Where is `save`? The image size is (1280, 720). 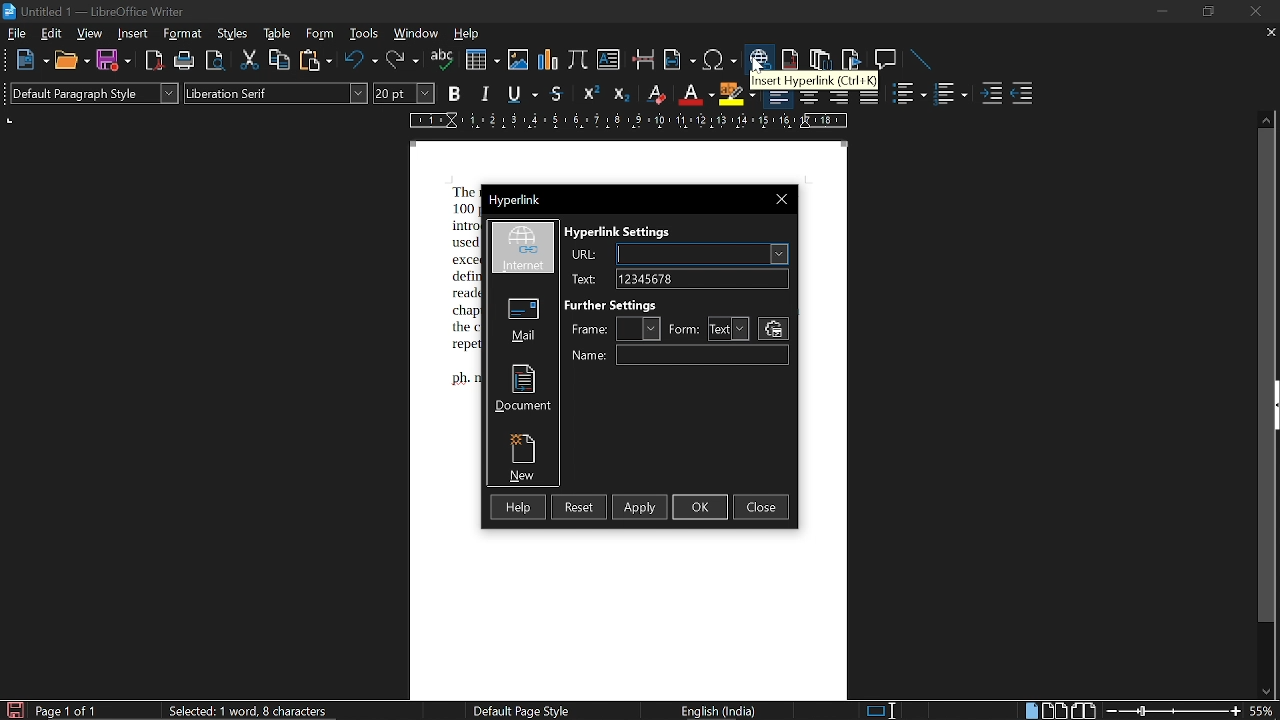
save is located at coordinates (14, 710).